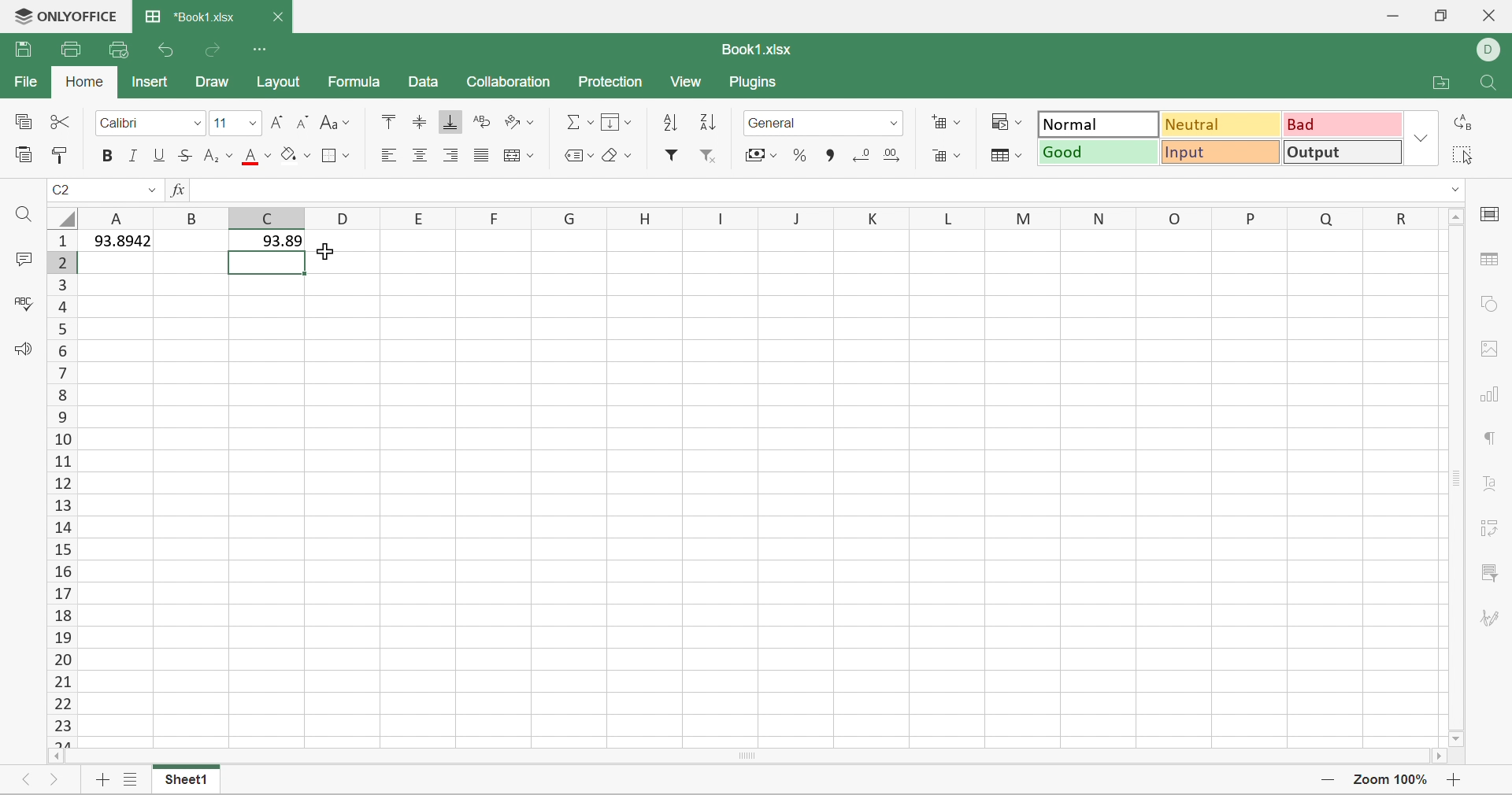  What do you see at coordinates (196, 122) in the screenshot?
I see `Drop Down` at bounding box center [196, 122].